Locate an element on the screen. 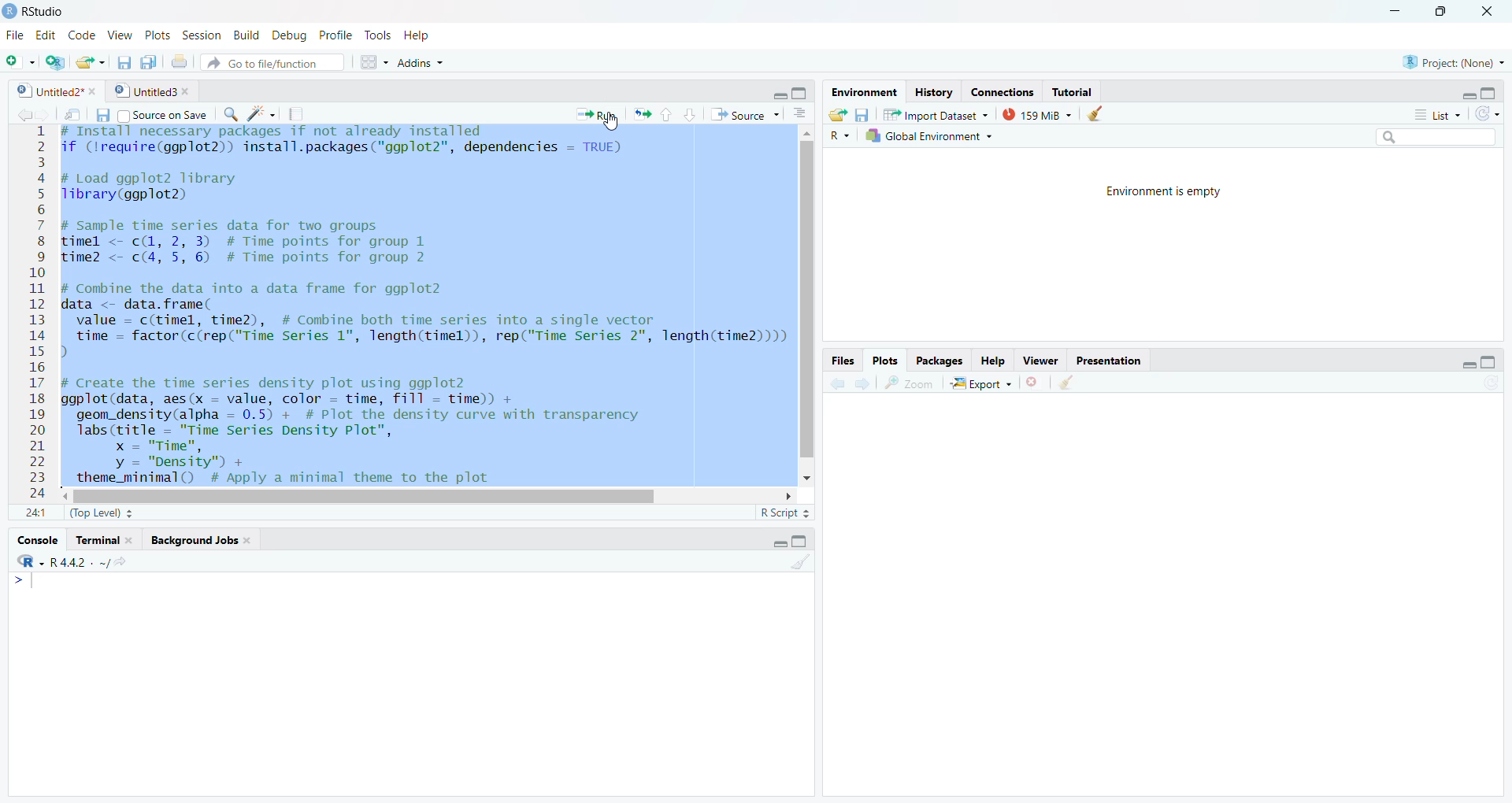 The height and width of the screenshot is (803, 1512). Save is located at coordinates (124, 62).